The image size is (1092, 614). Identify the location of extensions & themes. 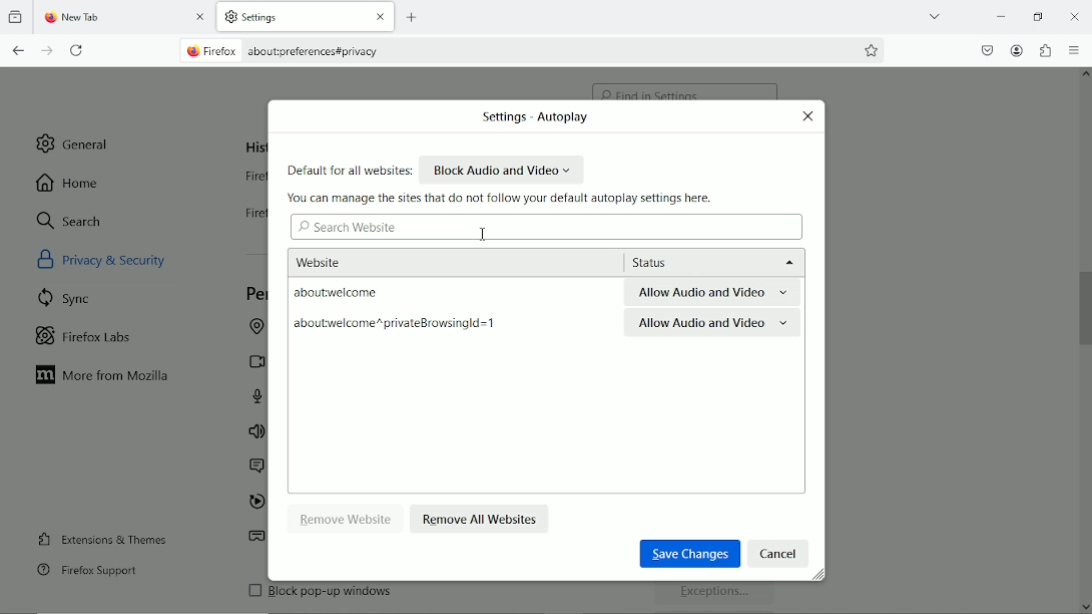
(100, 538).